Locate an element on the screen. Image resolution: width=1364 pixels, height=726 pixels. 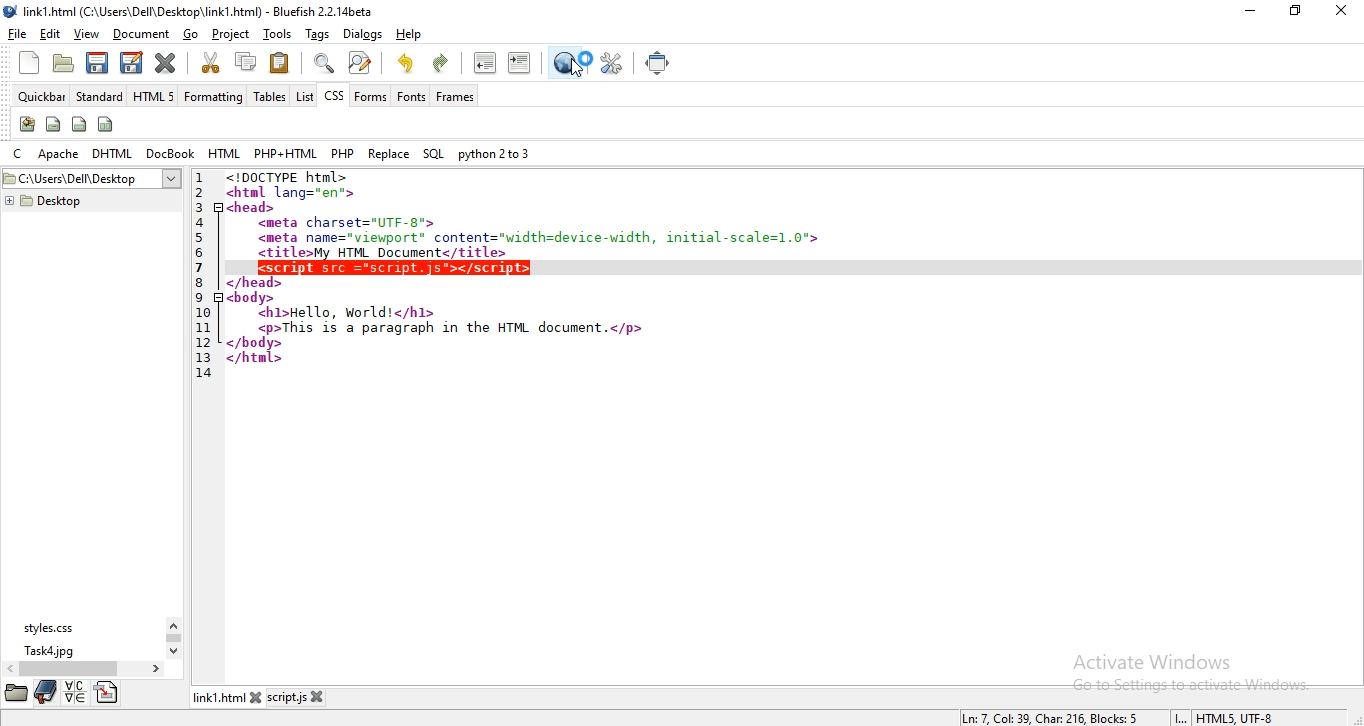
file is located at coordinates (17, 32).